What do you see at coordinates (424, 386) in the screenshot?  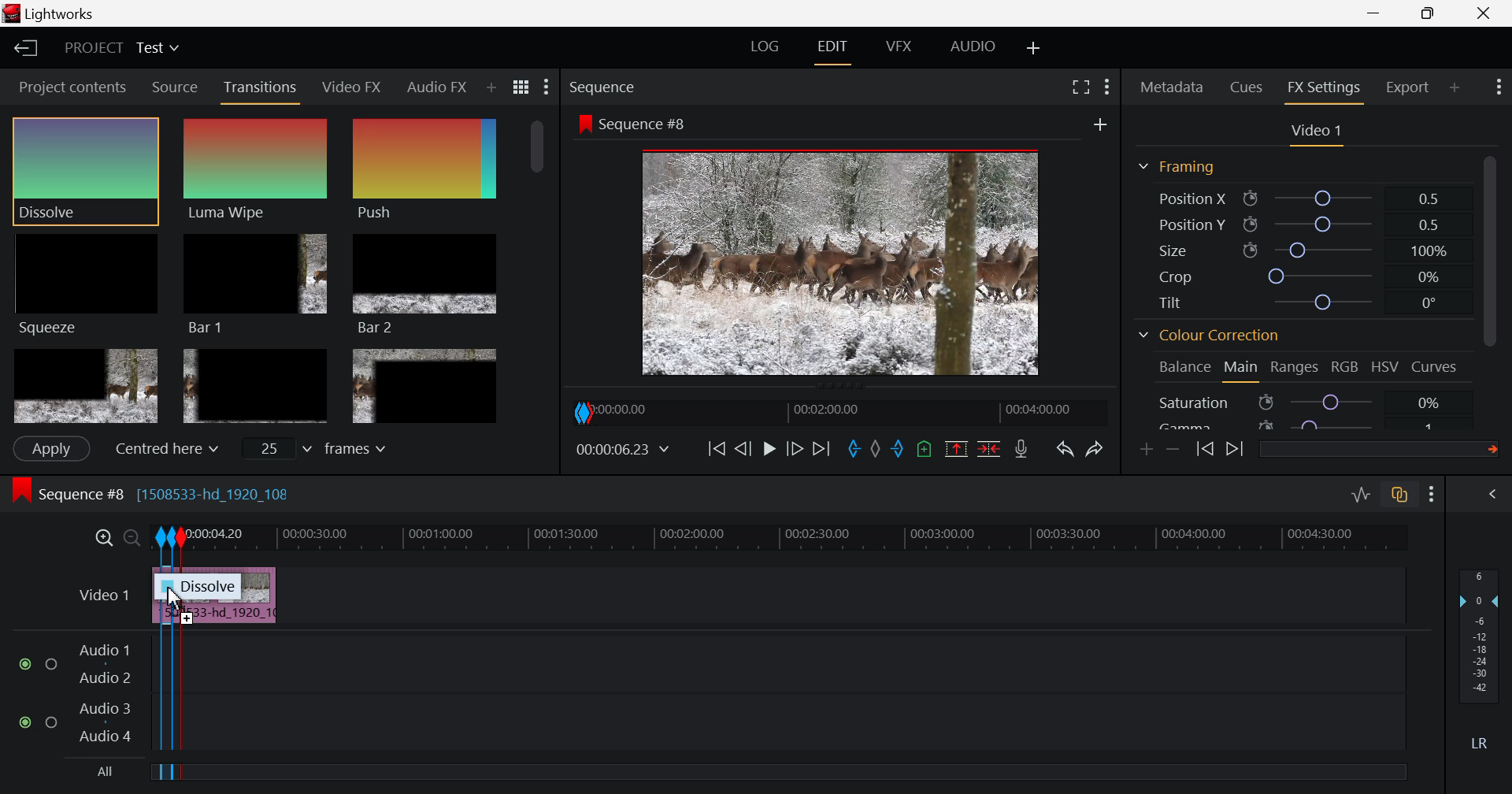 I see `Box 6` at bounding box center [424, 386].